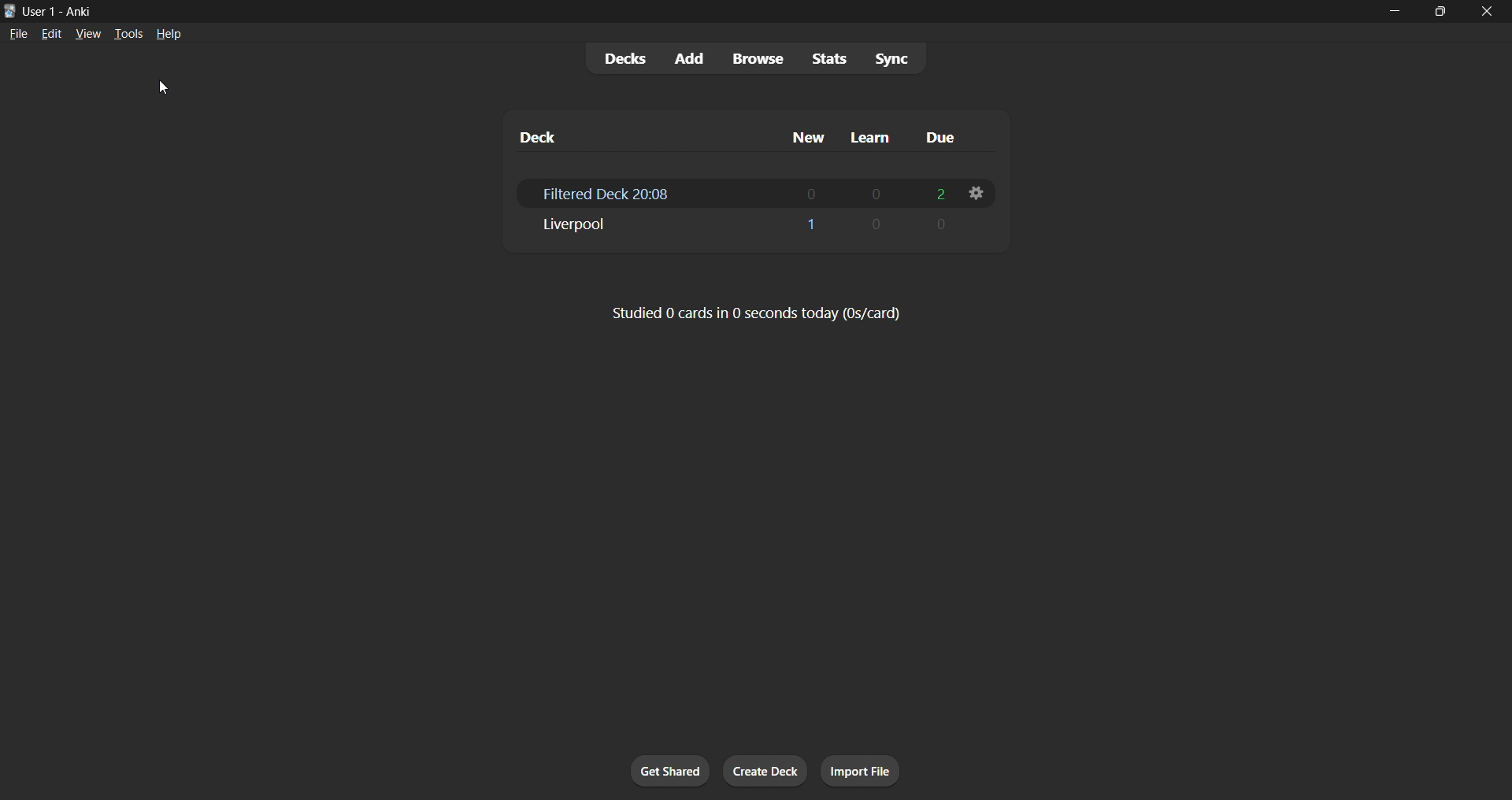 This screenshot has width=1512, height=800. Describe the element at coordinates (128, 35) in the screenshot. I see `tools` at that location.